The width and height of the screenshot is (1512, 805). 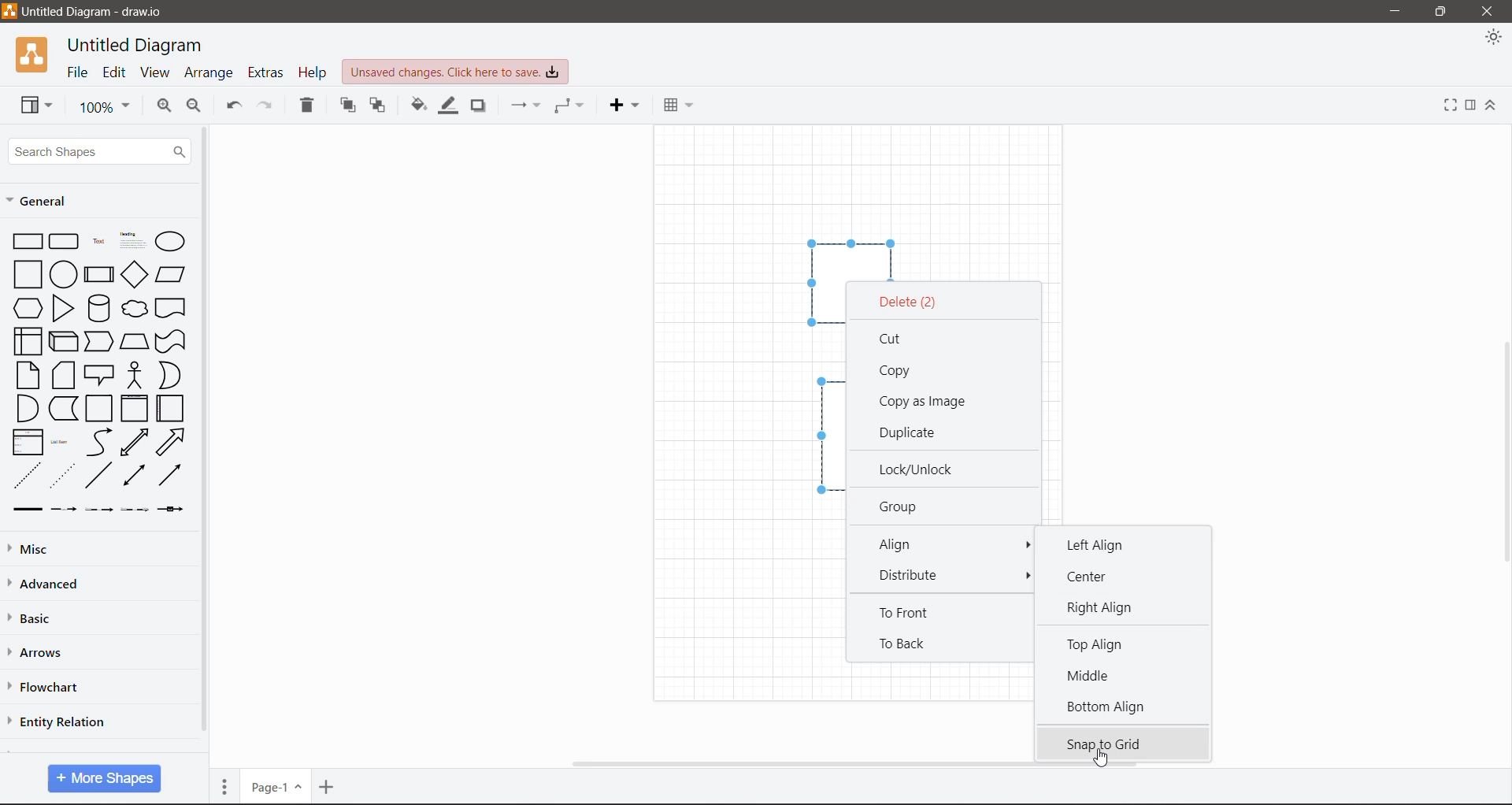 I want to click on Left Align, so click(x=1092, y=545).